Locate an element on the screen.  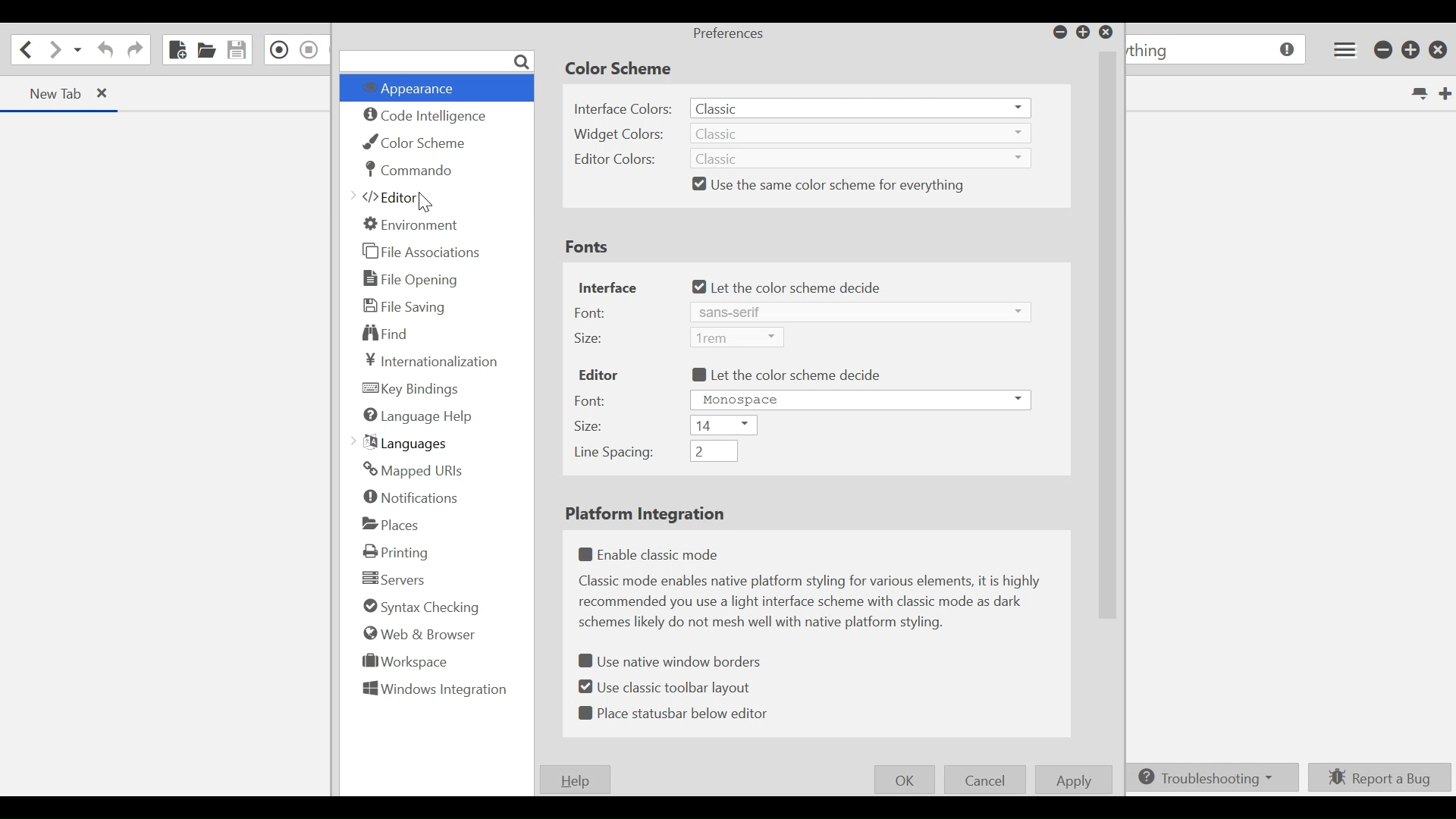
Restore is located at coordinates (1411, 49).